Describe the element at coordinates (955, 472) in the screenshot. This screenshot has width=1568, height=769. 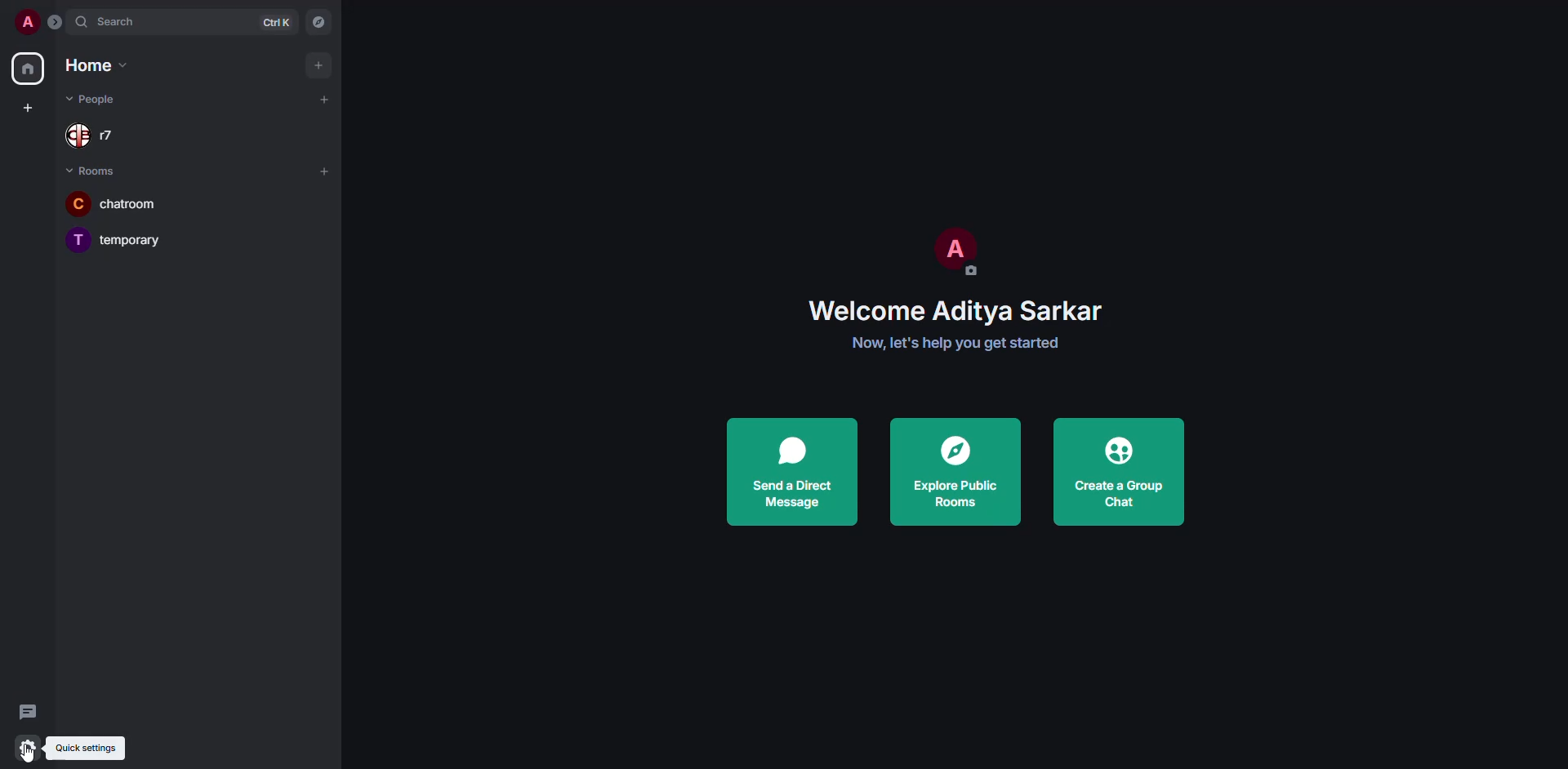
I see `explore public rooms` at that location.